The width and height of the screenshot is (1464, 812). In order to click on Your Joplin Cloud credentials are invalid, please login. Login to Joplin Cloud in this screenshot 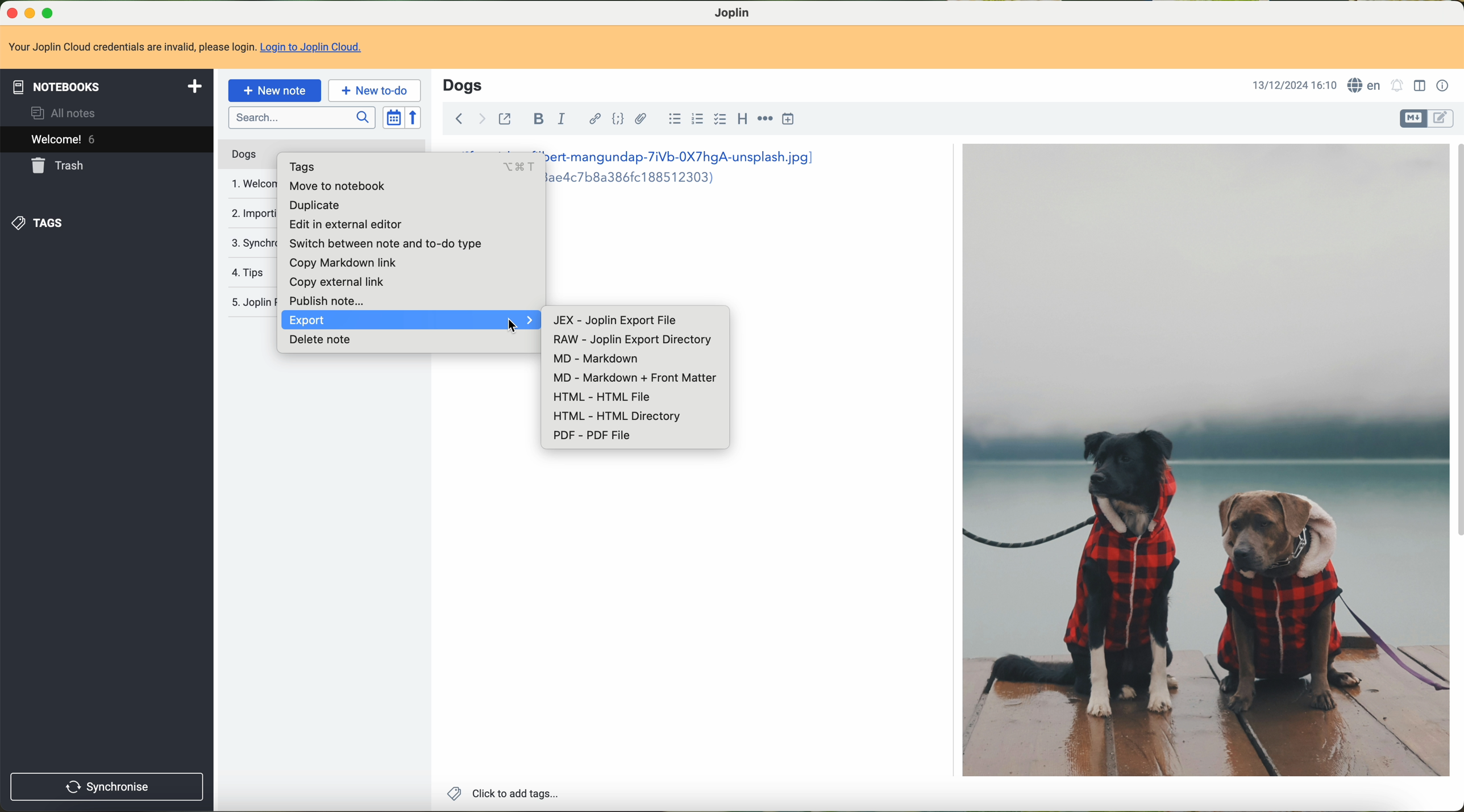, I will do `click(190, 48)`.